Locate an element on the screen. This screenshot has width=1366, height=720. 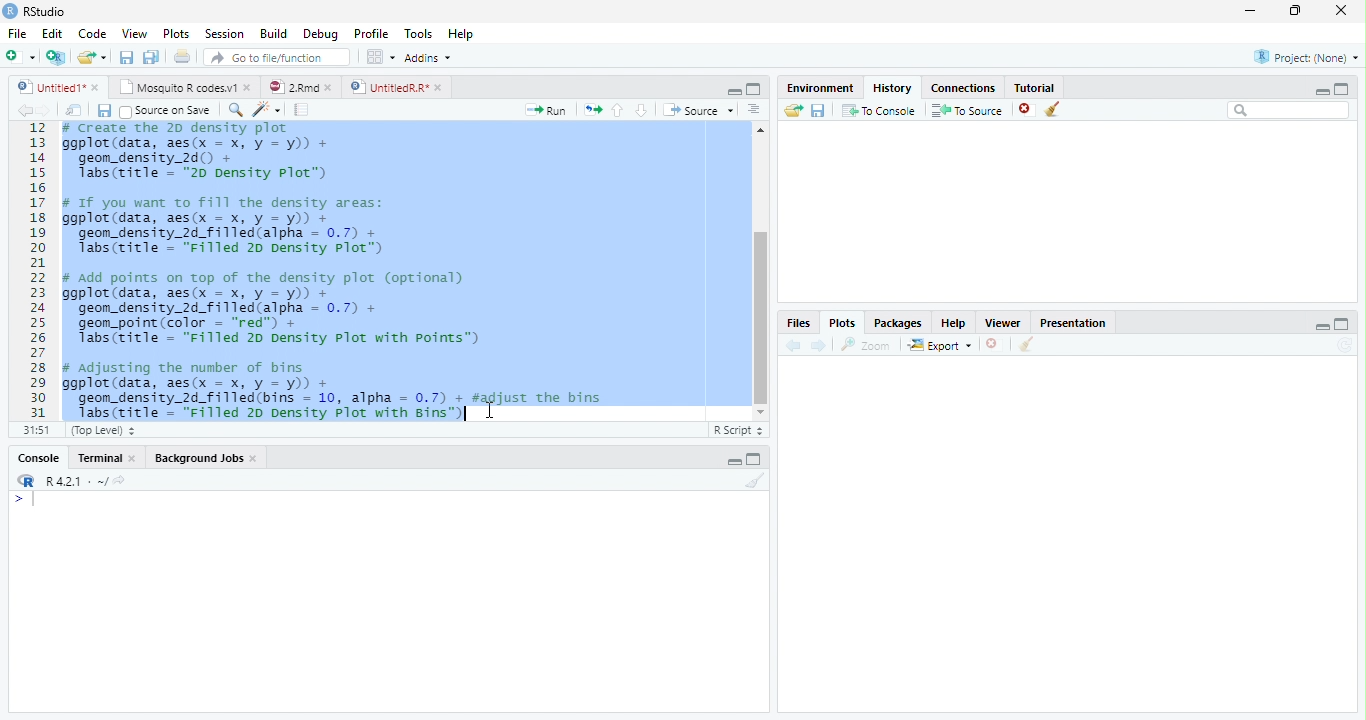
close is located at coordinates (256, 460).